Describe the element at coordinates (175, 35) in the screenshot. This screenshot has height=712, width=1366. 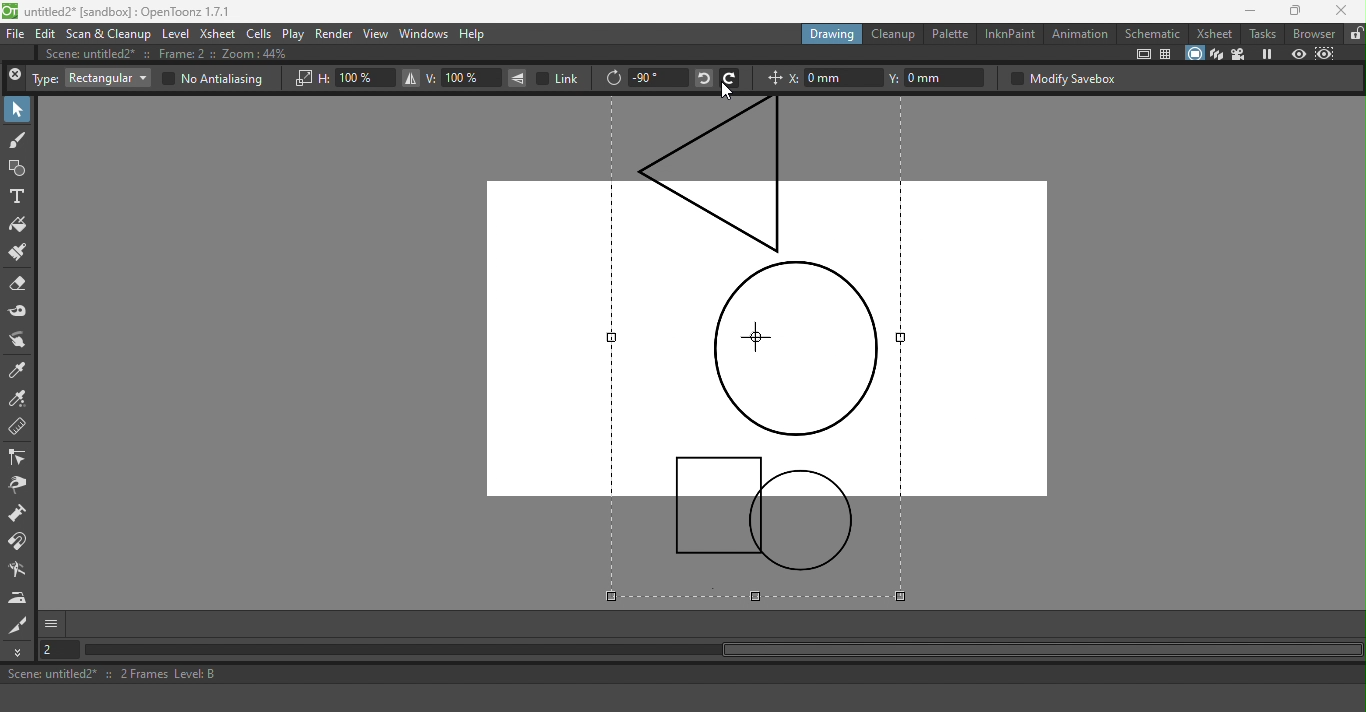
I see `Level` at that location.